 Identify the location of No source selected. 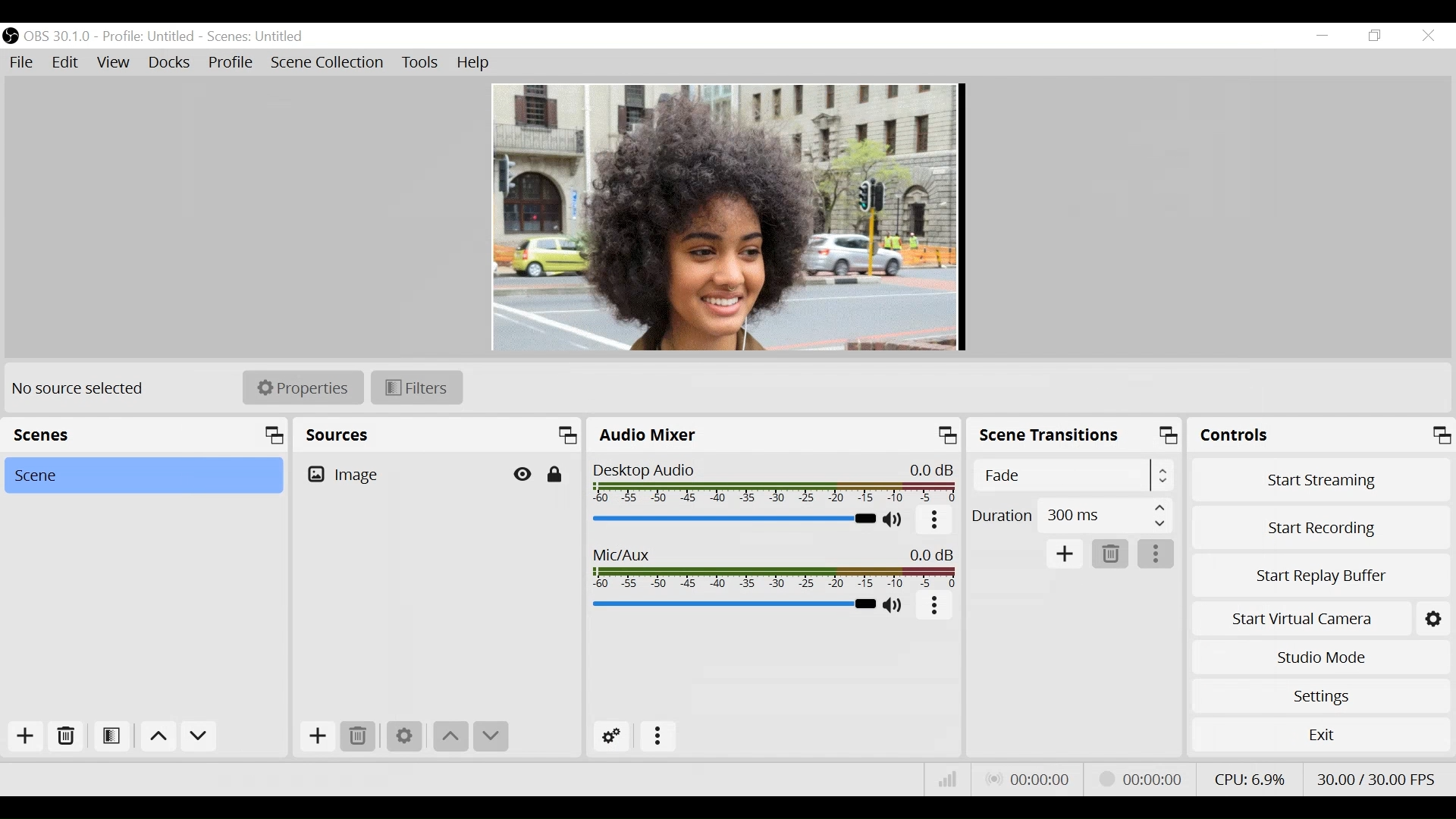
(78, 387).